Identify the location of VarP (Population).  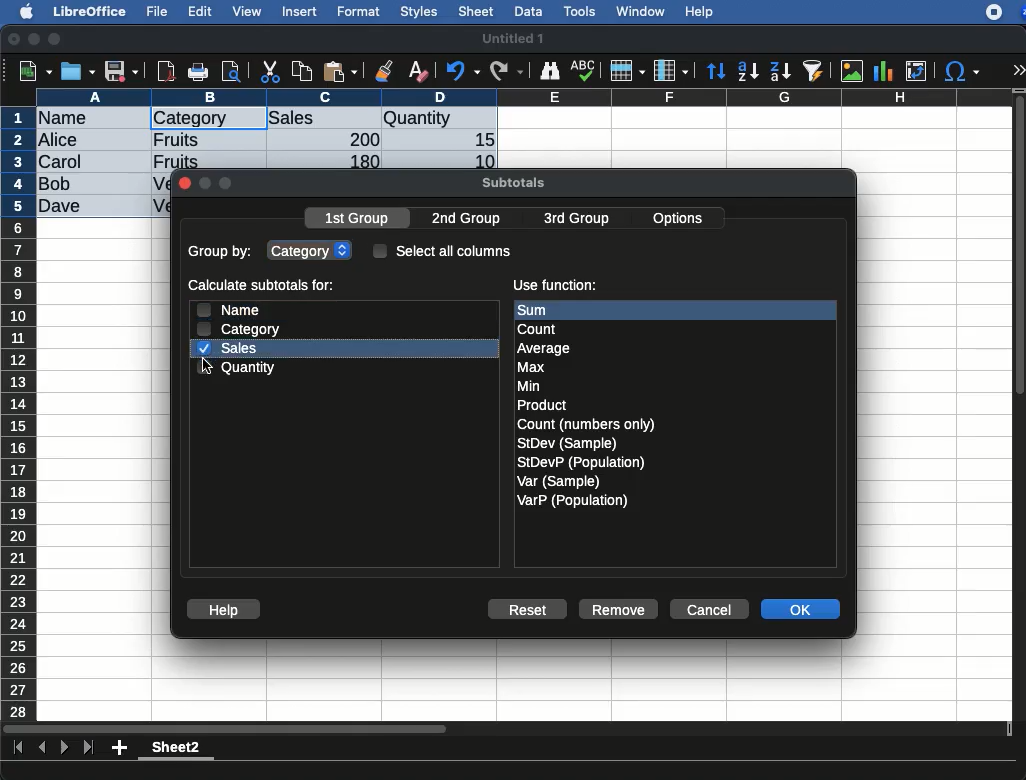
(572, 501).